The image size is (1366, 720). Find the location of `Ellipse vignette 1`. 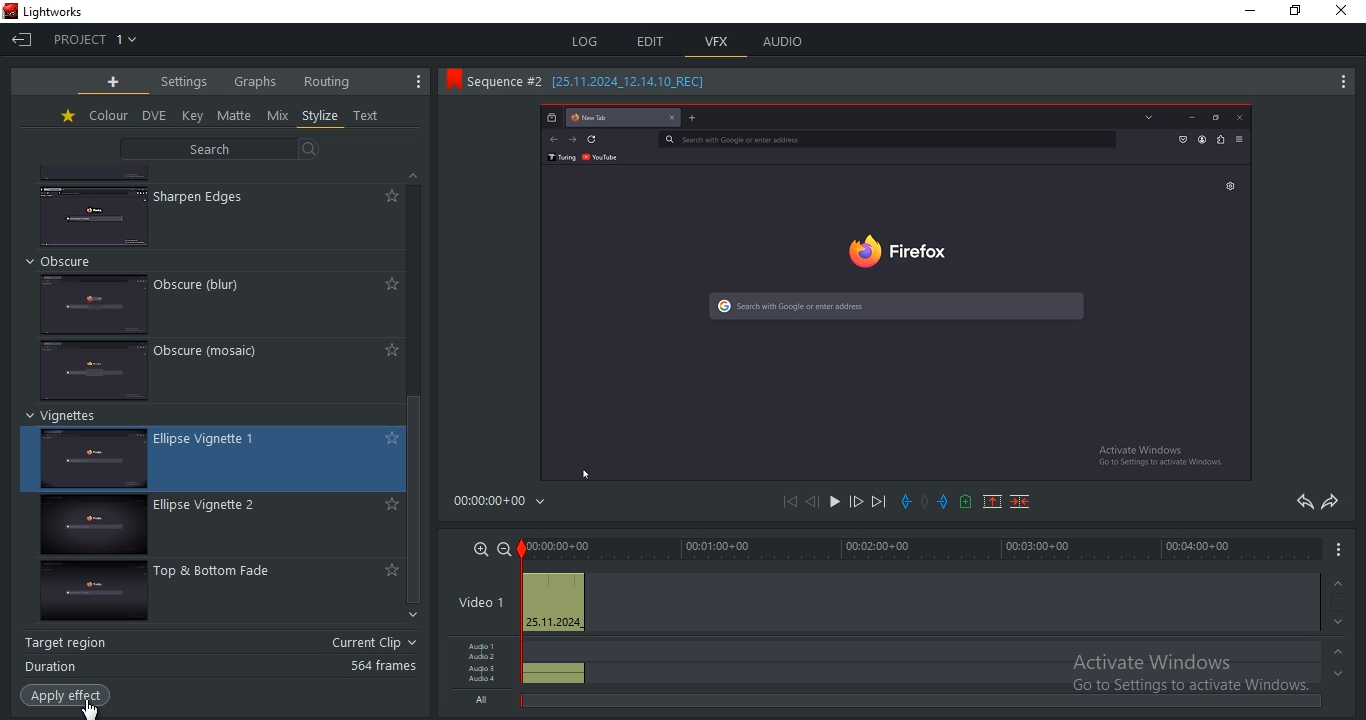

Ellipse vignette 1 is located at coordinates (222, 437).